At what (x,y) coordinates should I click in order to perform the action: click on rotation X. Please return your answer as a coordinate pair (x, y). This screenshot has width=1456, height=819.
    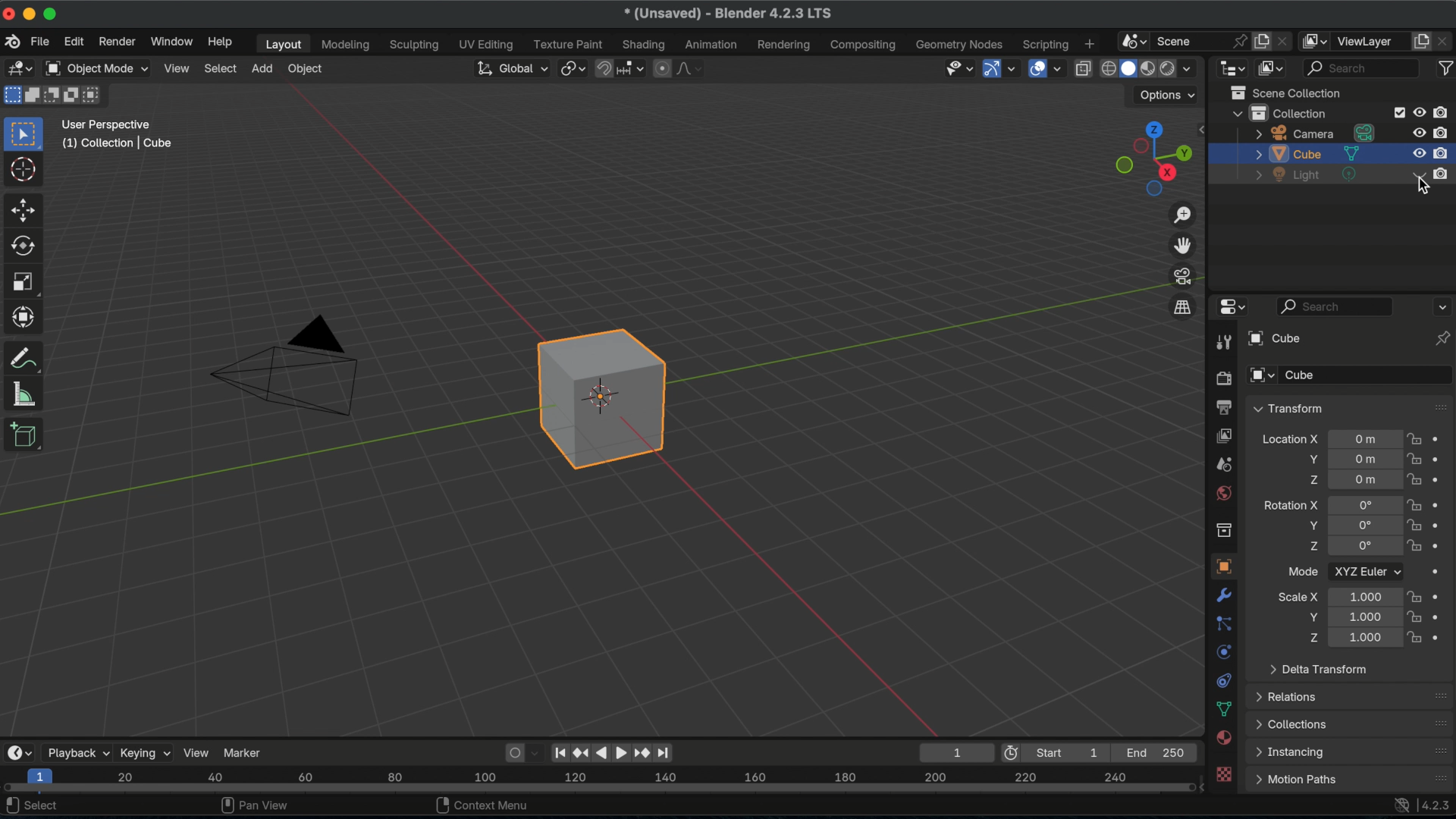
    Looking at the image, I should click on (1290, 504).